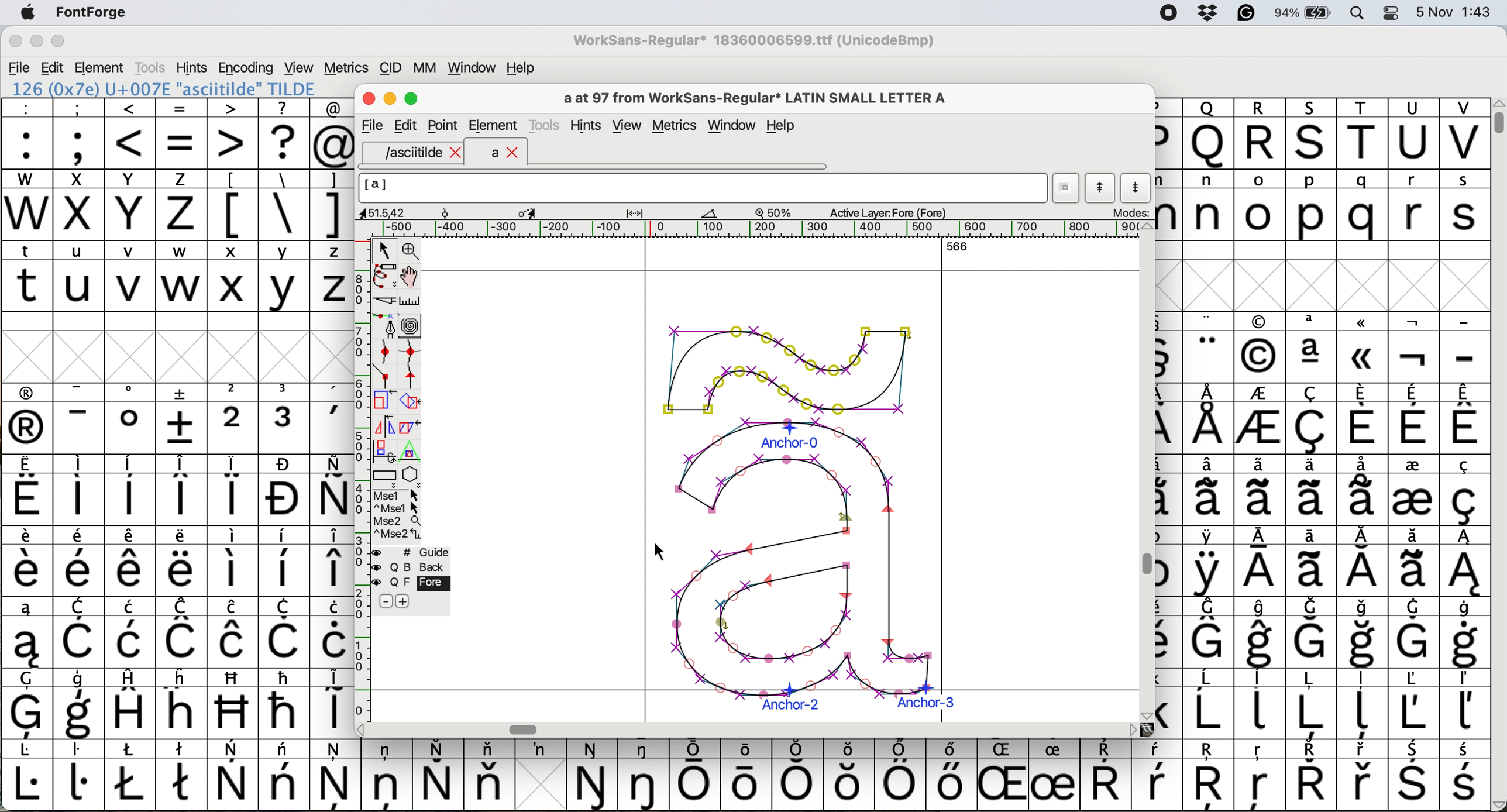 This screenshot has height=812, width=1507. I want to click on close, so click(15, 43).